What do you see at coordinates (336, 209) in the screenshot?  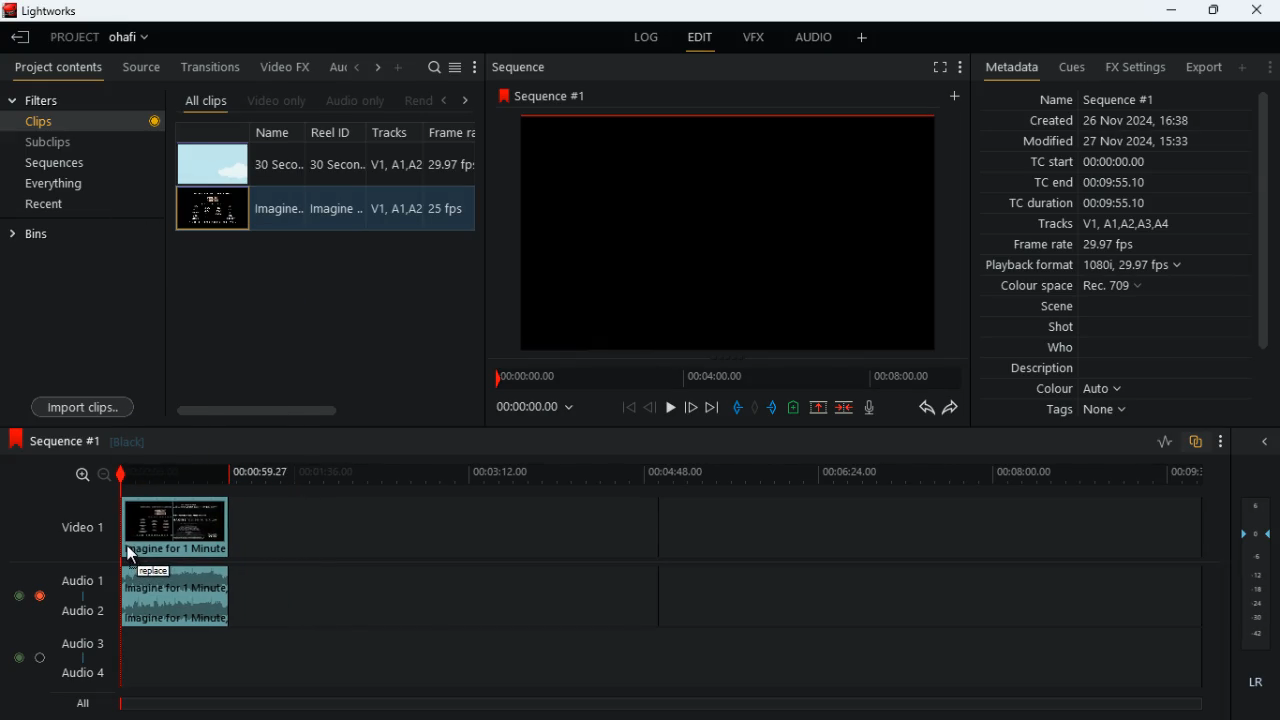 I see `Reel ID` at bounding box center [336, 209].